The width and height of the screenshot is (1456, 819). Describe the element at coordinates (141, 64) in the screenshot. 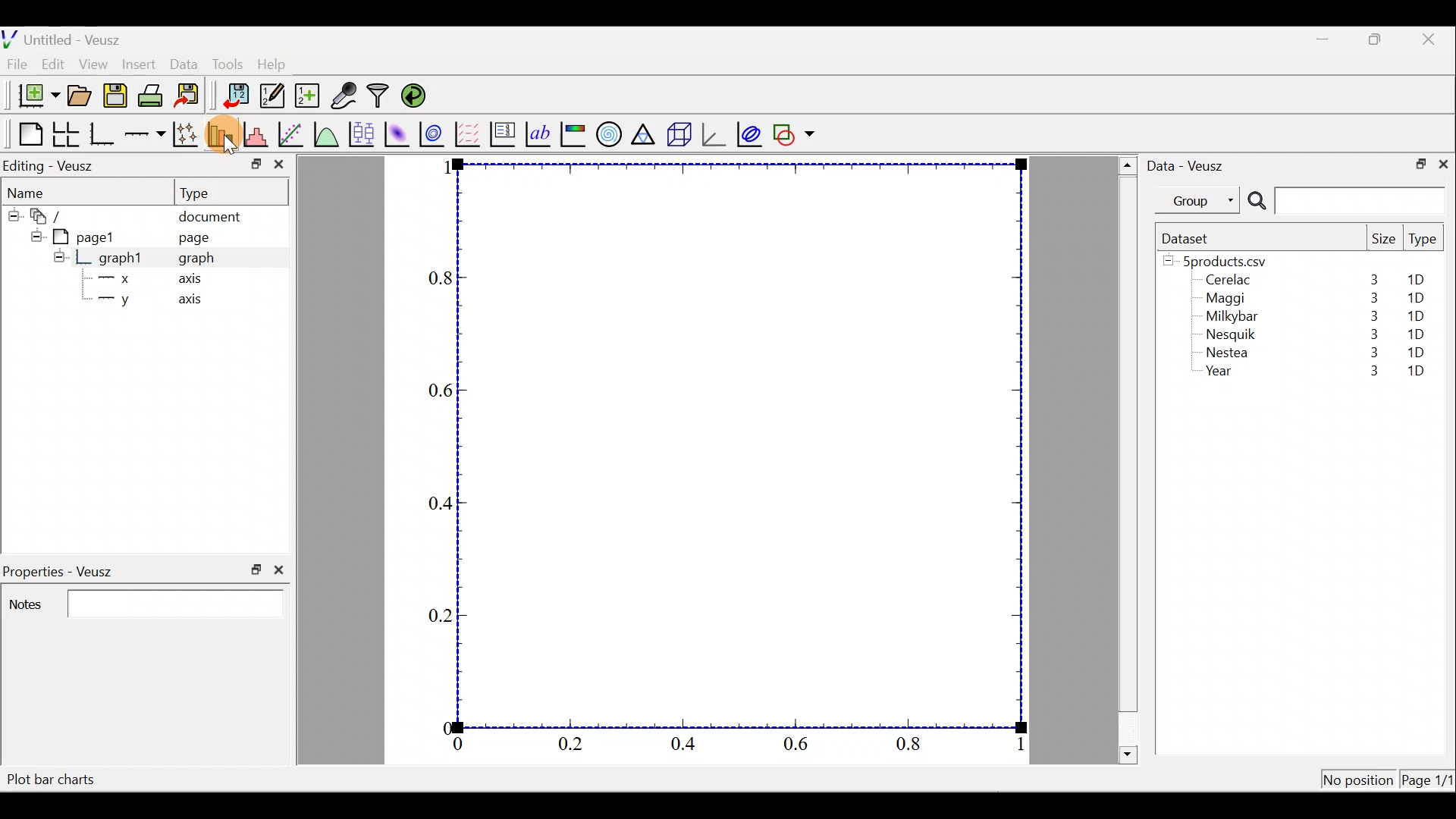

I see `Insert` at that location.